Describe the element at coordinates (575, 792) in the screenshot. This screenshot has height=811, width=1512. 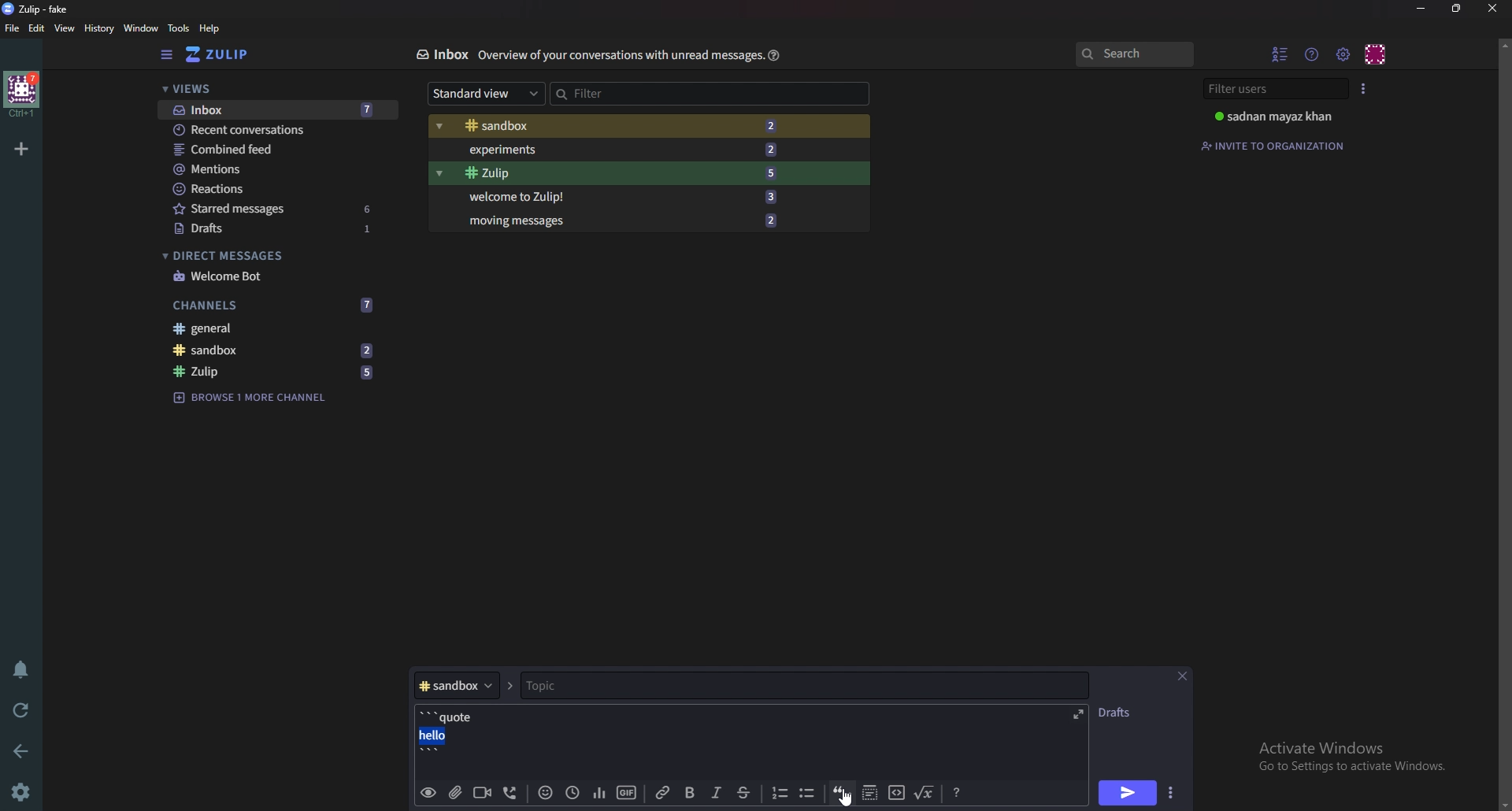
I see `Global time` at that location.